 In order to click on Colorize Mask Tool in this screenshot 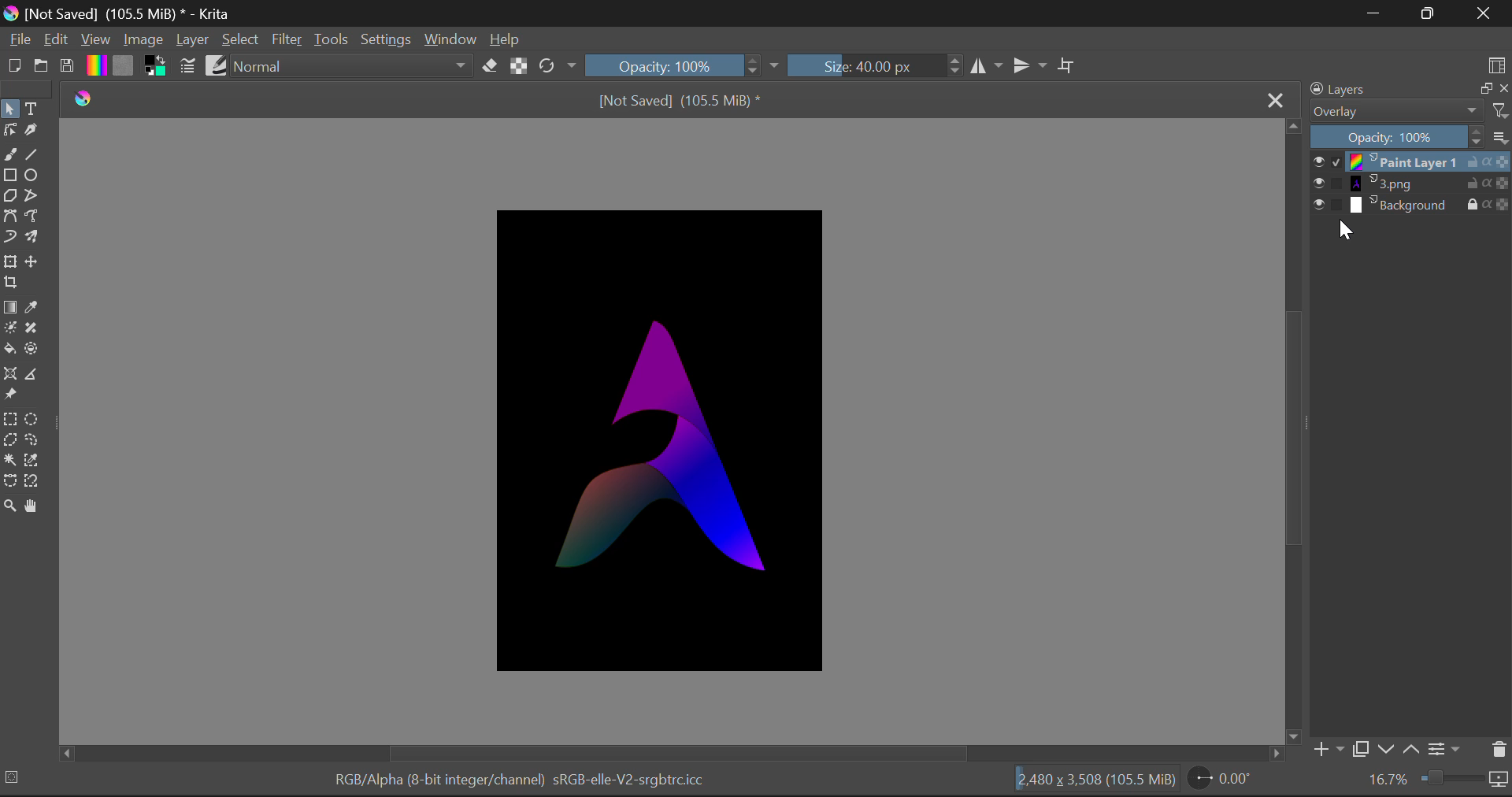, I will do `click(9, 330)`.